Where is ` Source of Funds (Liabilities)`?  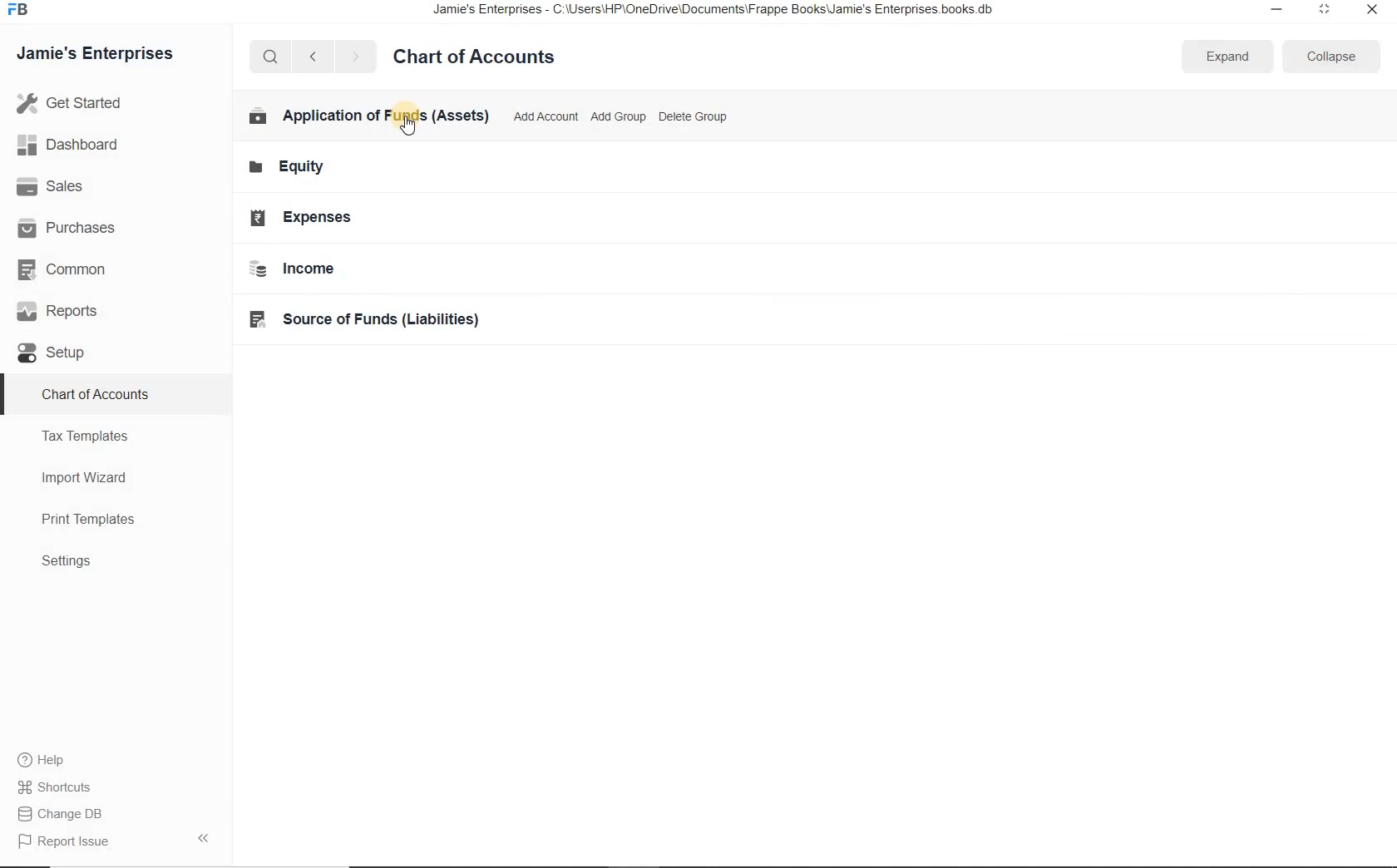
 Source of Funds (Liabilities) is located at coordinates (394, 319).